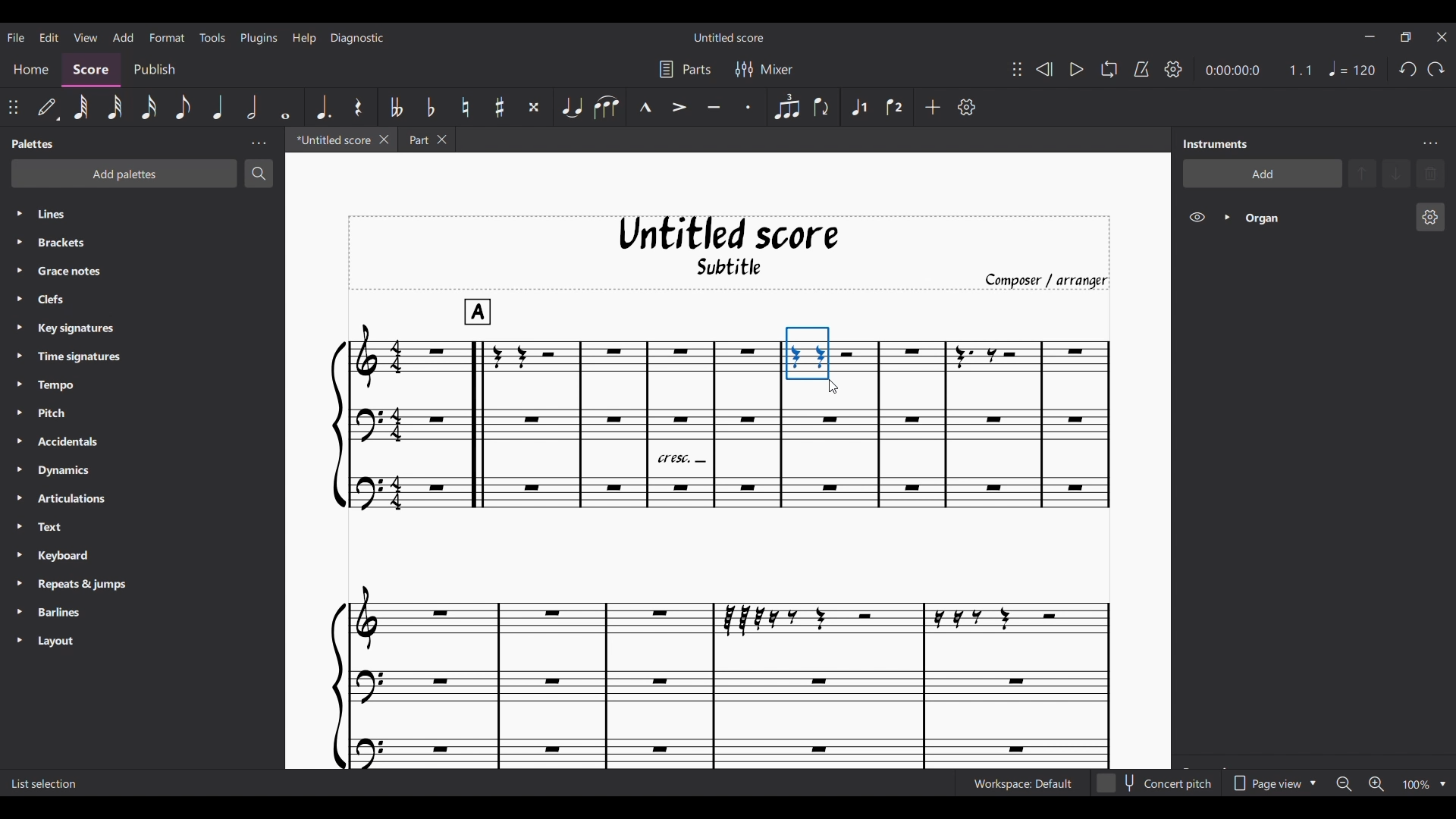 The height and width of the screenshot is (819, 1456). What do you see at coordinates (500, 108) in the screenshot?
I see `Toggle sharp` at bounding box center [500, 108].